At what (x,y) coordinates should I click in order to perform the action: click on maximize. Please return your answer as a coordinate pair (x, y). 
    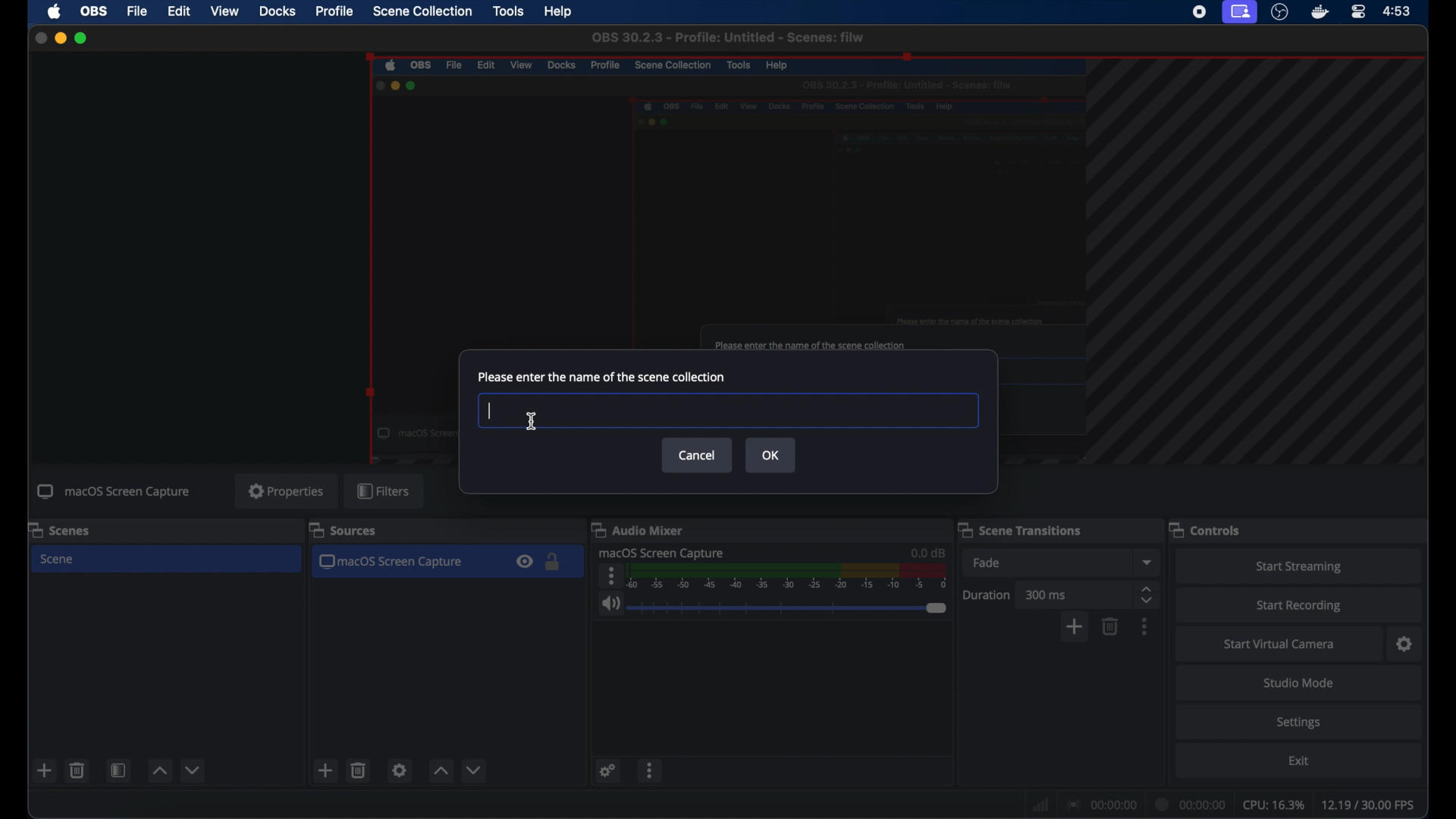
    Looking at the image, I should click on (86, 39).